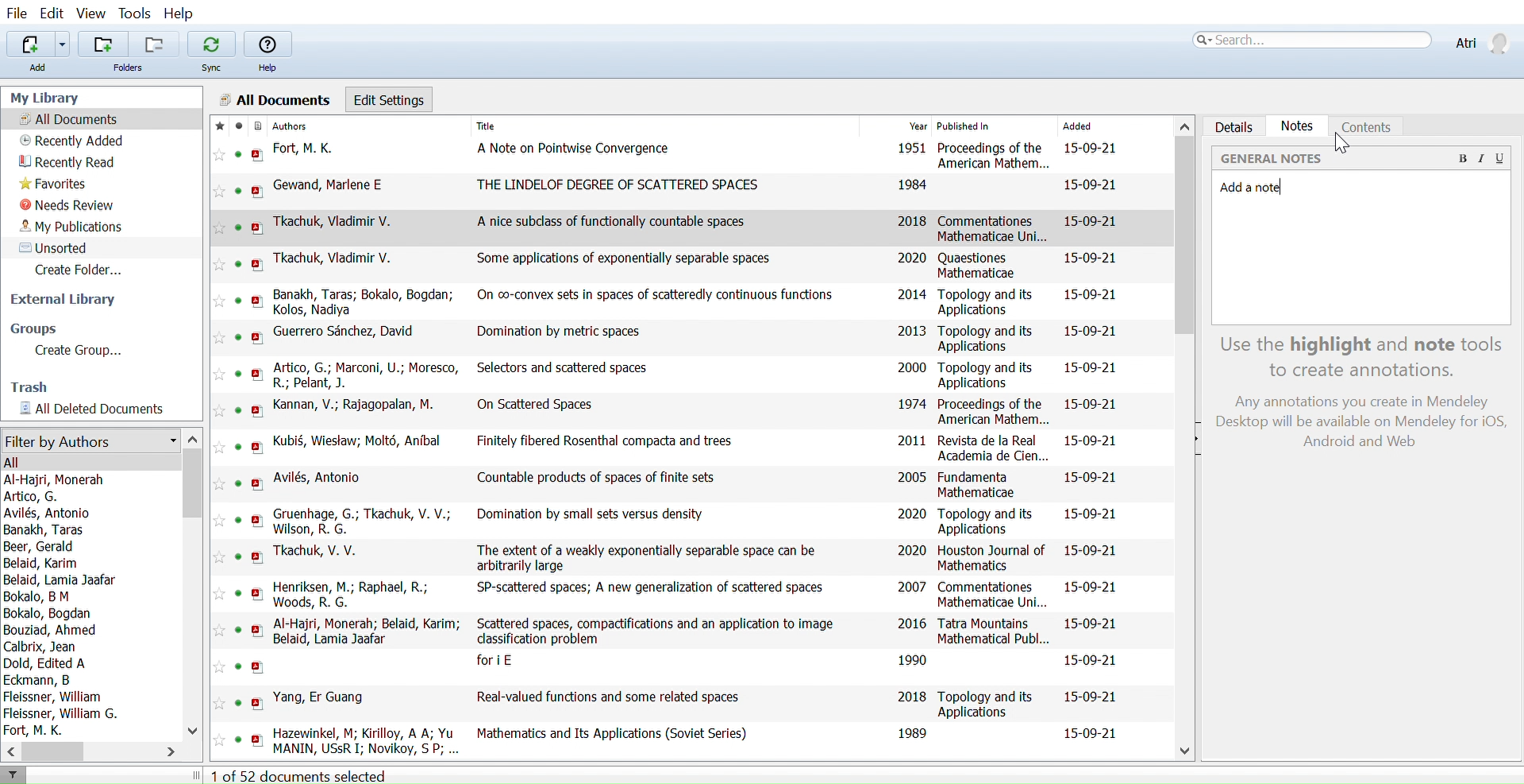 The image size is (1524, 784). What do you see at coordinates (366, 374) in the screenshot?
I see `Artico, G.; Marconi, U.; Moresco, R.; Pelant, J.` at bounding box center [366, 374].